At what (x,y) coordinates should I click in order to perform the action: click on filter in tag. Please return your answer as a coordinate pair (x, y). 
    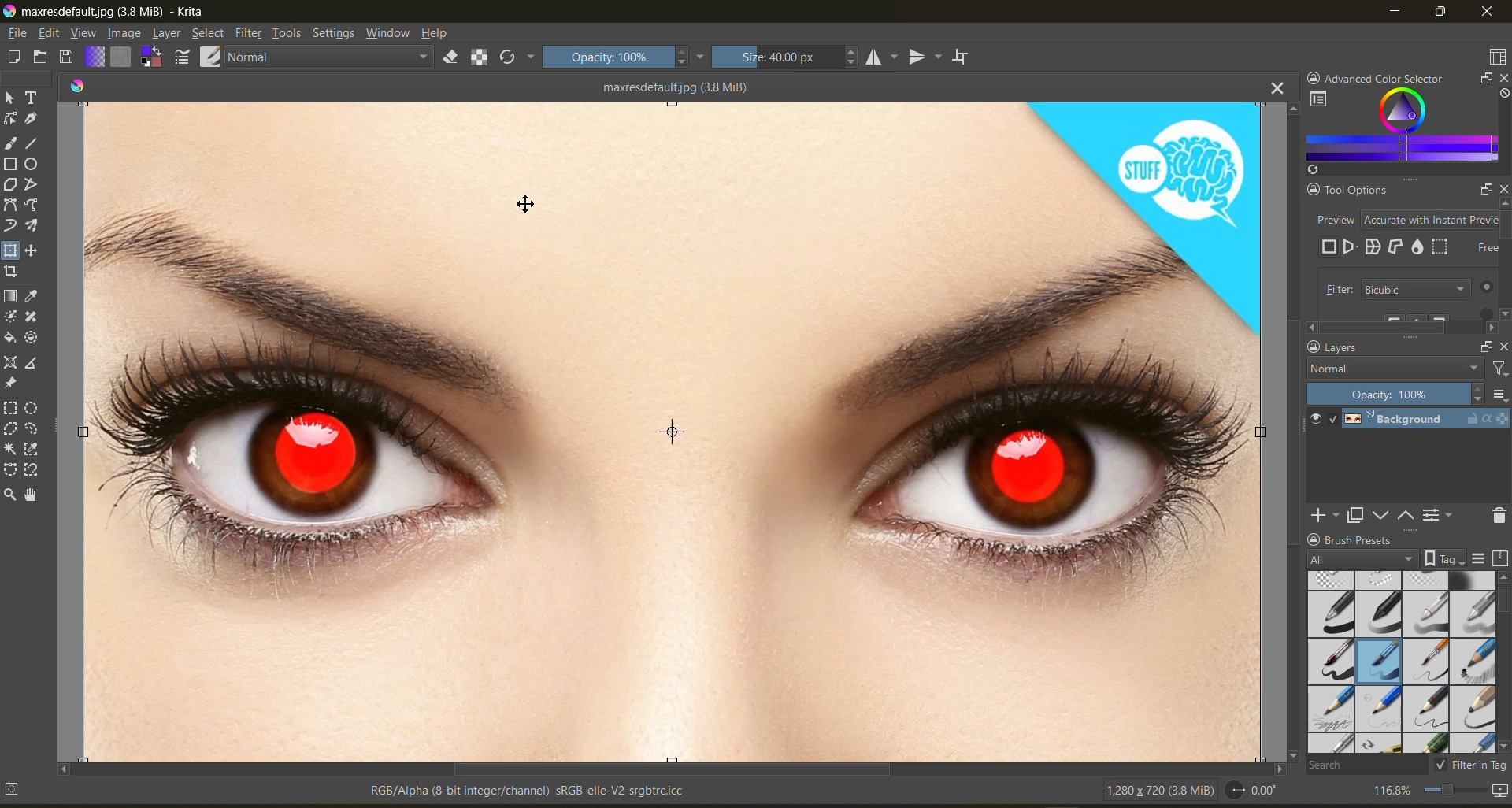
    Looking at the image, I should click on (1473, 766).